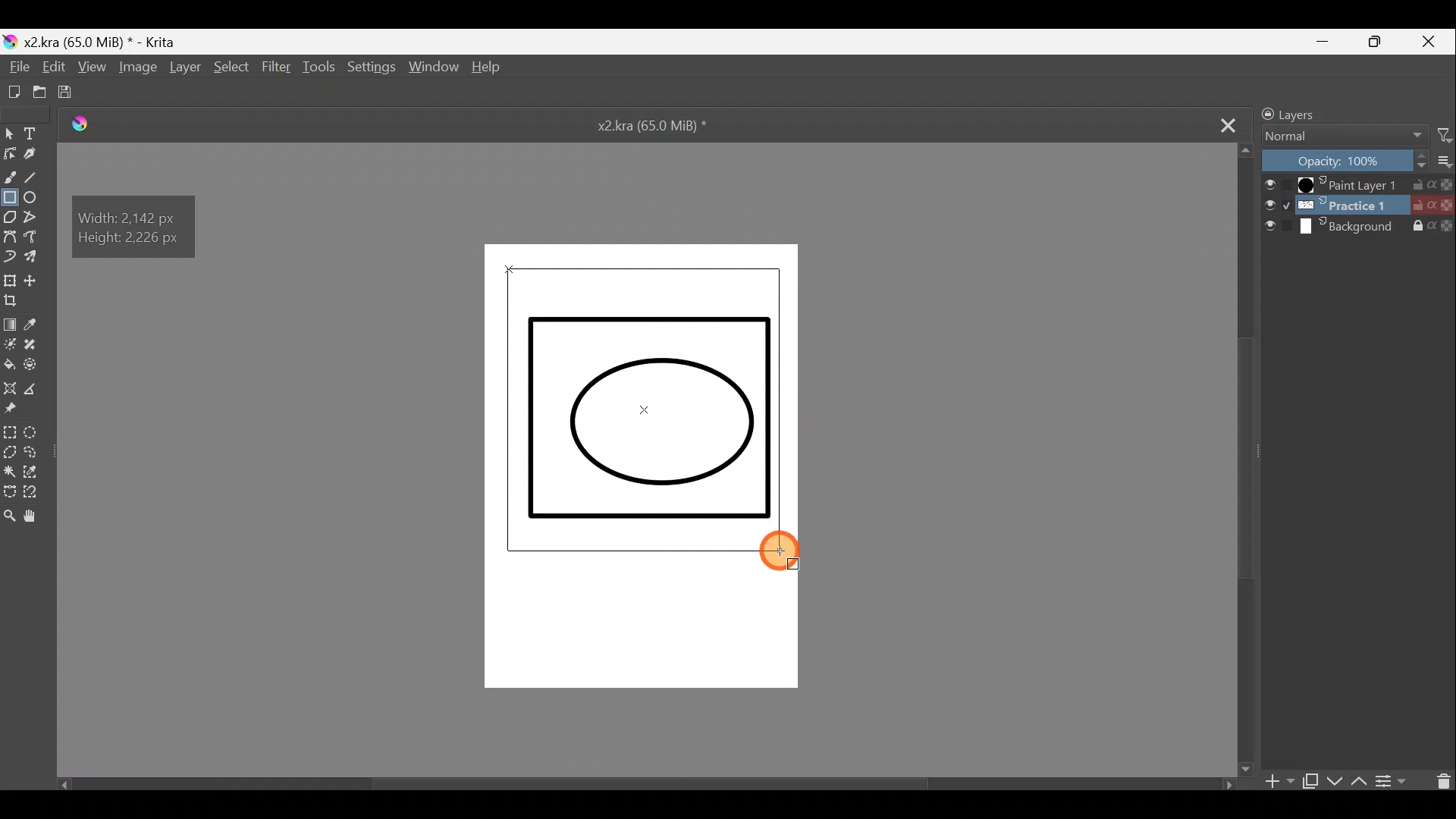  What do you see at coordinates (10, 235) in the screenshot?
I see `Bezier curve tool` at bounding box center [10, 235].